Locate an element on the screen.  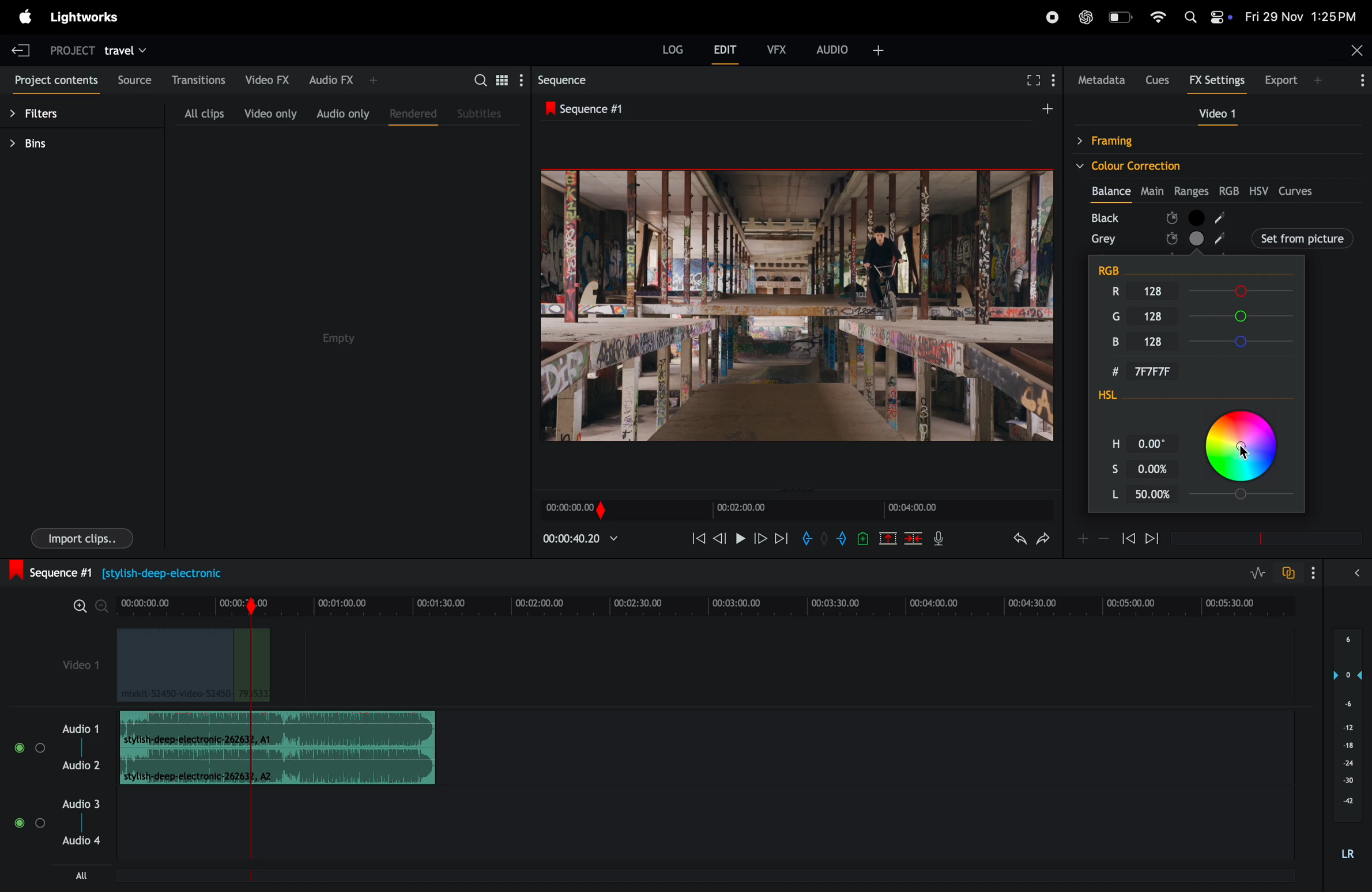
audio pitch is located at coordinates (1345, 746).